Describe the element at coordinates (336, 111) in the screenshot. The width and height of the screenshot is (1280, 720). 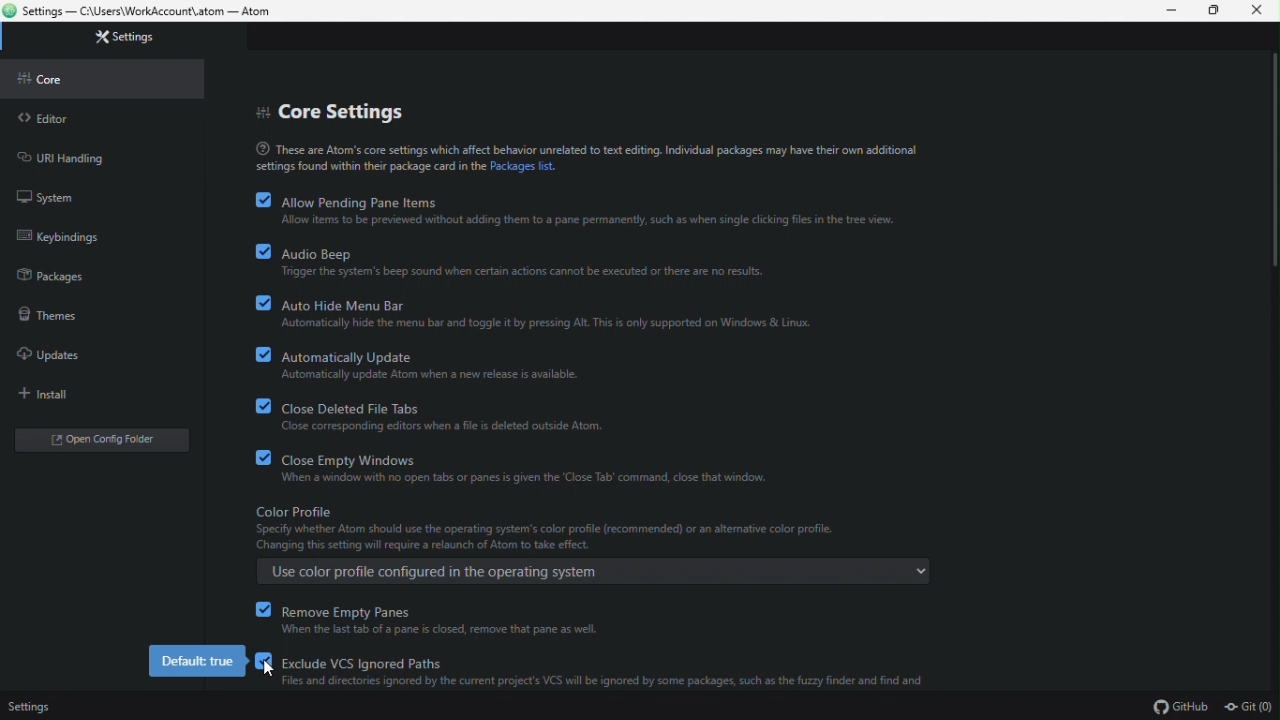
I see `core settings` at that location.